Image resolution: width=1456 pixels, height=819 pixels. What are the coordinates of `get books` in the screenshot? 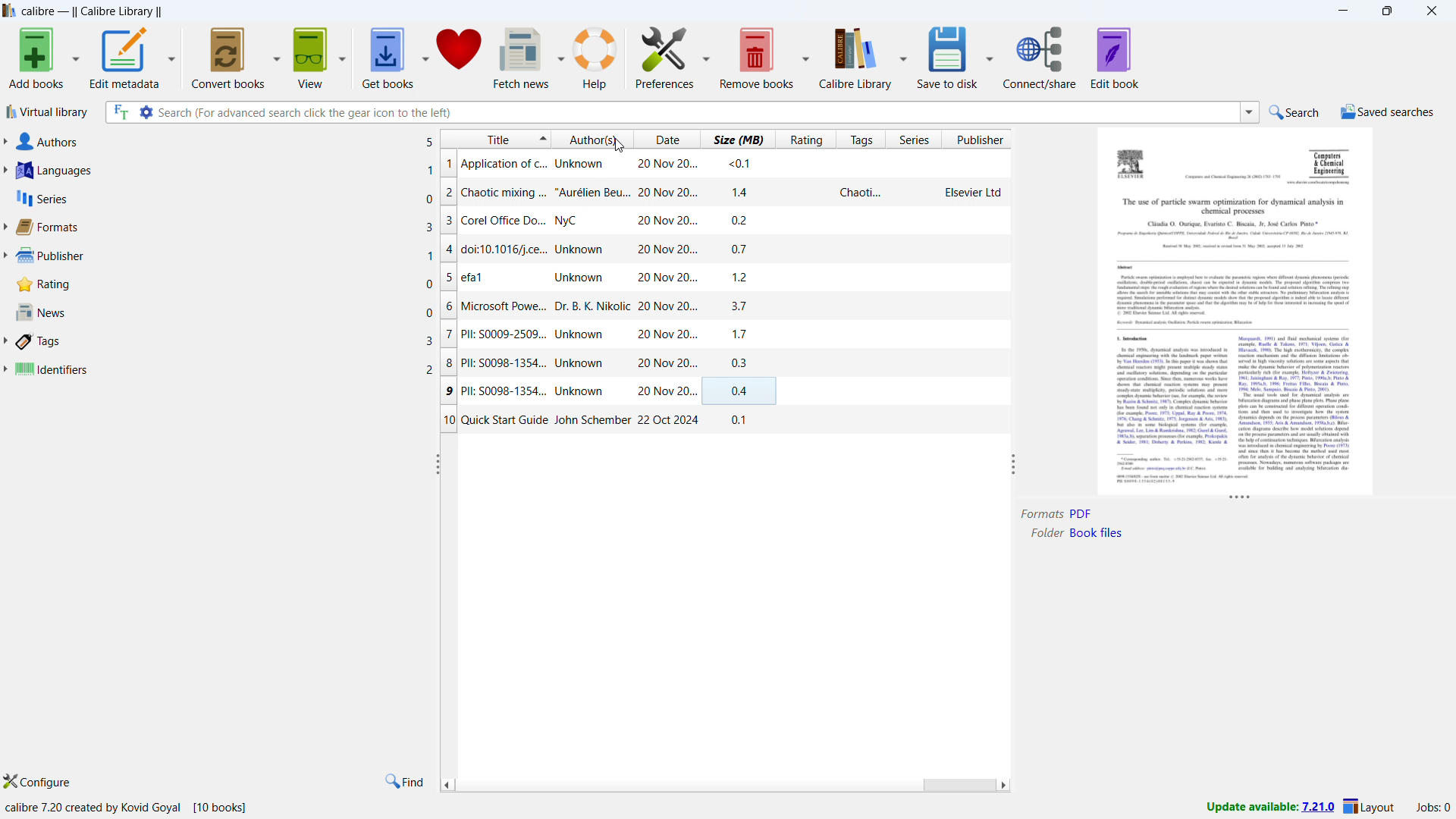 It's located at (388, 59).